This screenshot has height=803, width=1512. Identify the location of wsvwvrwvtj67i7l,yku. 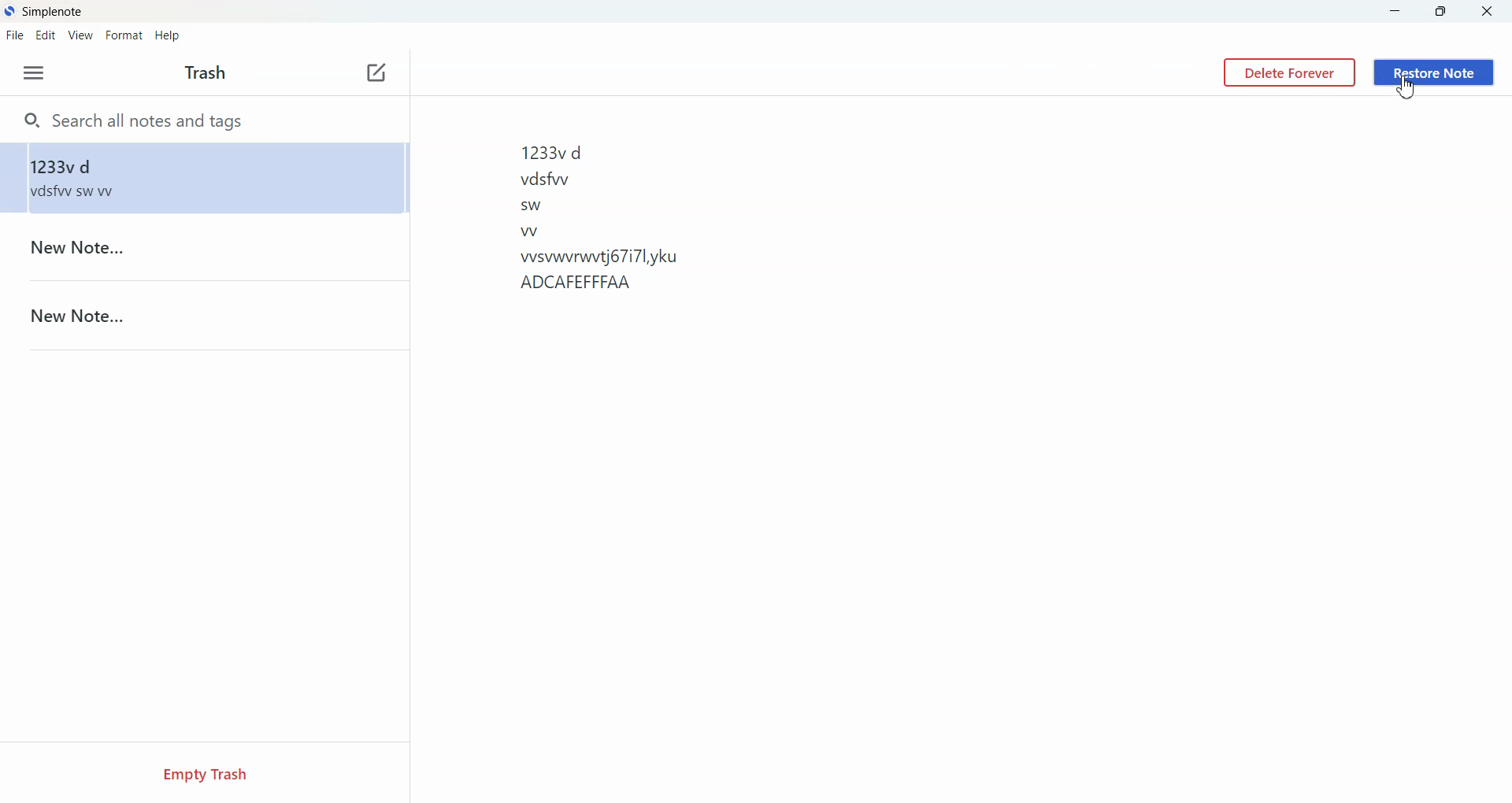
(606, 256).